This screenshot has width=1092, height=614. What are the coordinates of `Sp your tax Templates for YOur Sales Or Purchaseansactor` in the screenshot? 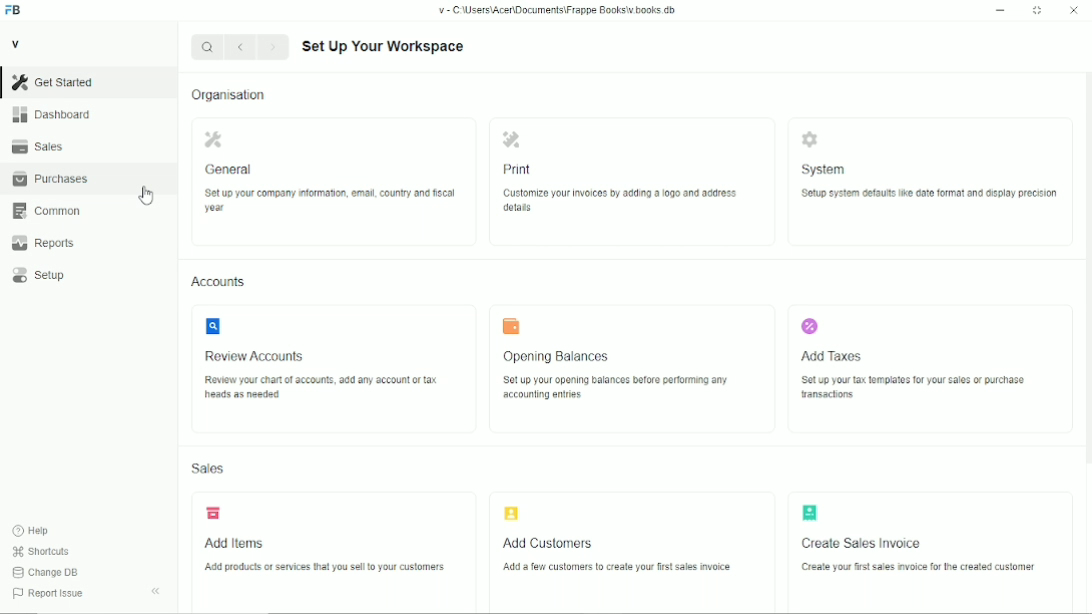 It's located at (917, 390).